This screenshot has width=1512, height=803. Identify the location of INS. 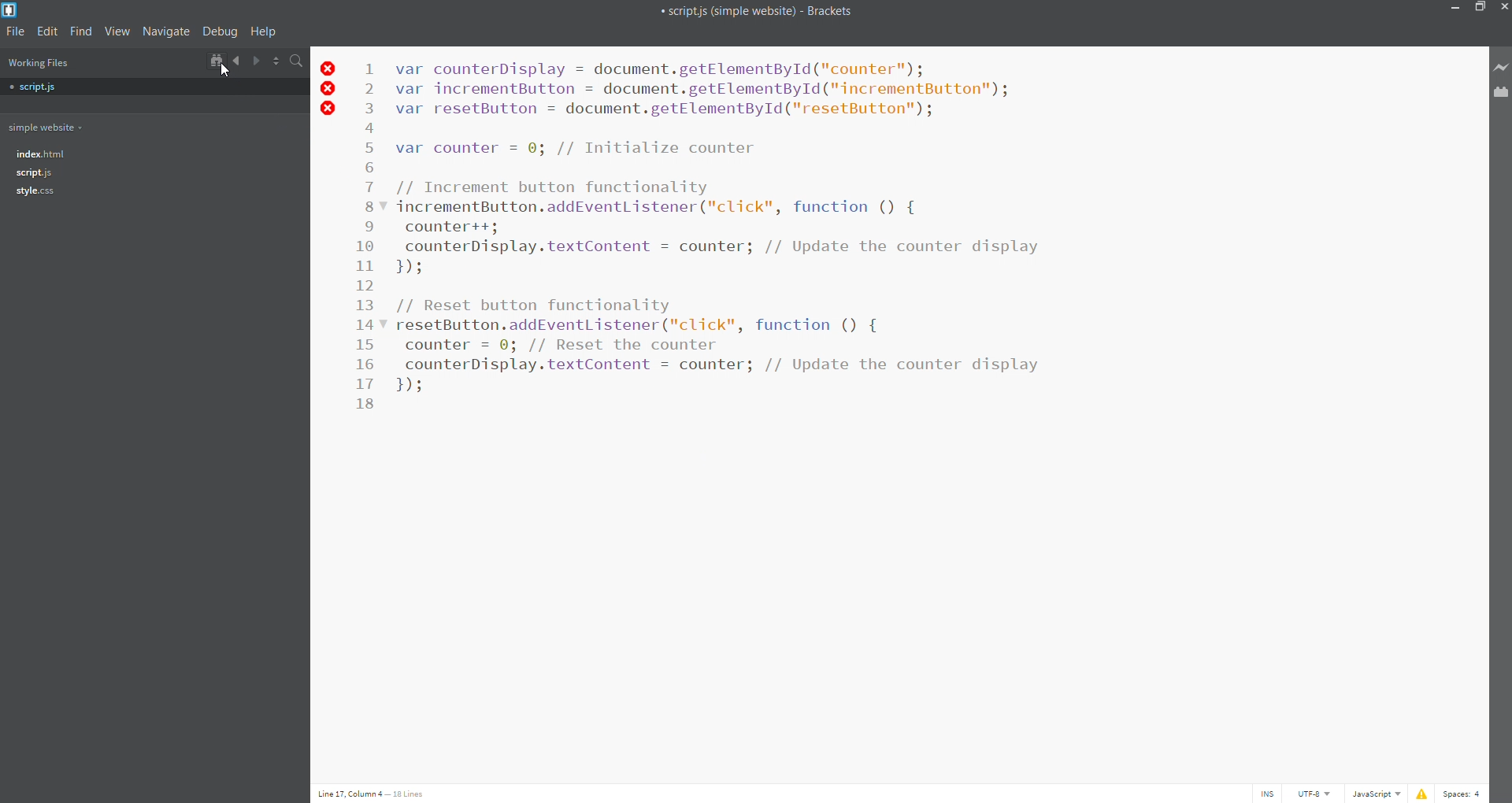
(1266, 793).